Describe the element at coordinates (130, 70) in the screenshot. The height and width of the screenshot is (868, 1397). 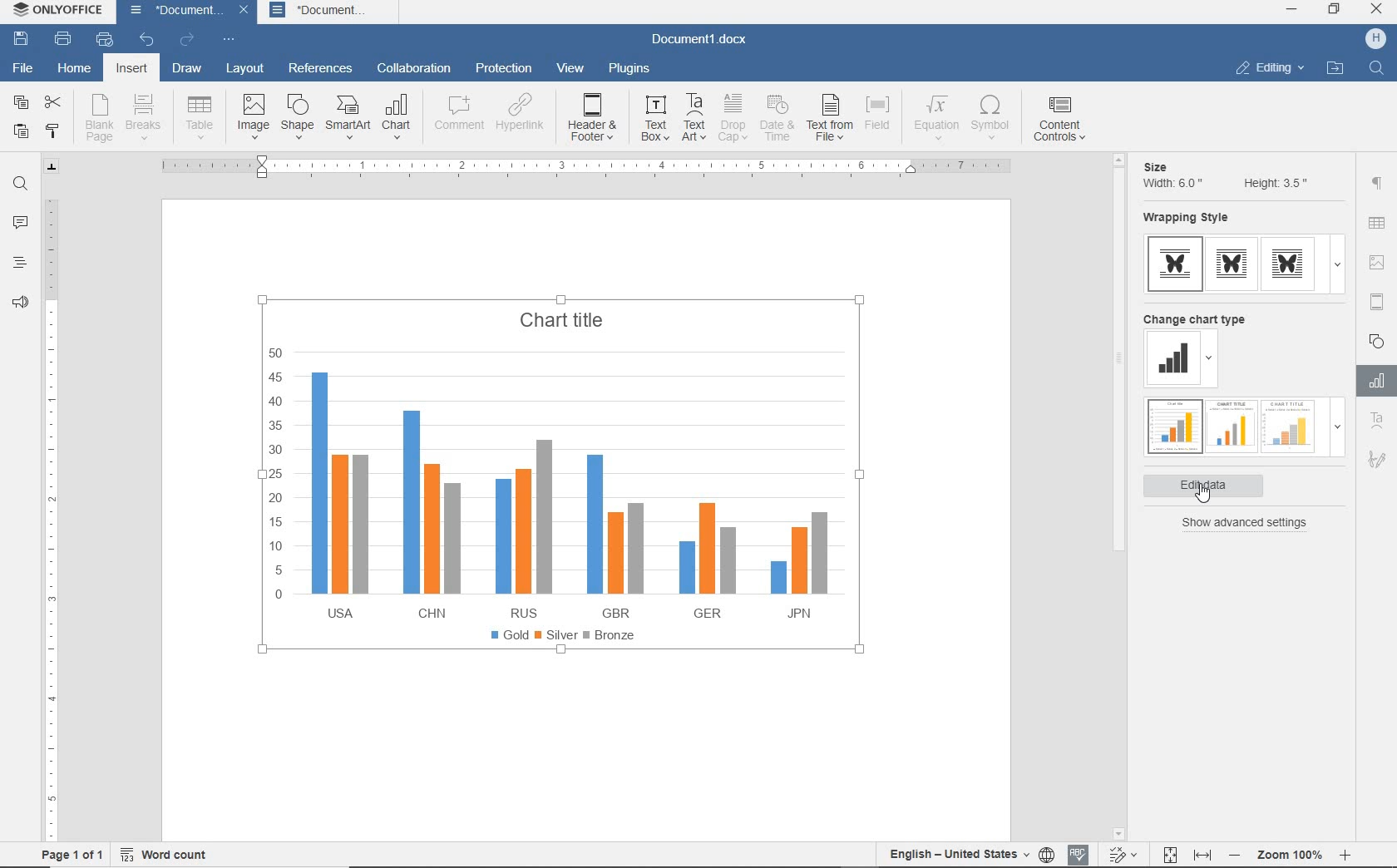
I see `insert` at that location.